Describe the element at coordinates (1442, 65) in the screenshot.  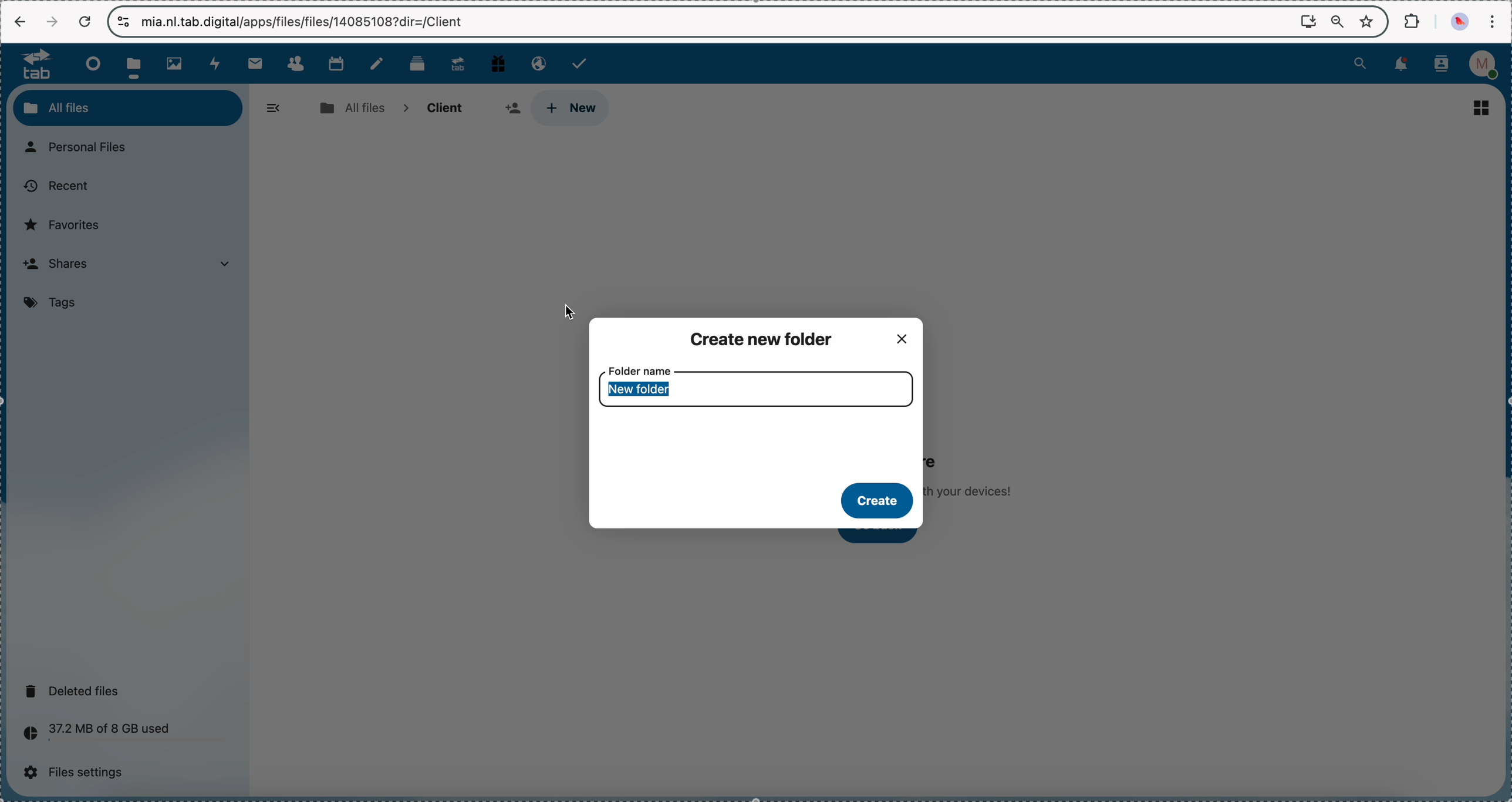
I see `contacts` at that location.